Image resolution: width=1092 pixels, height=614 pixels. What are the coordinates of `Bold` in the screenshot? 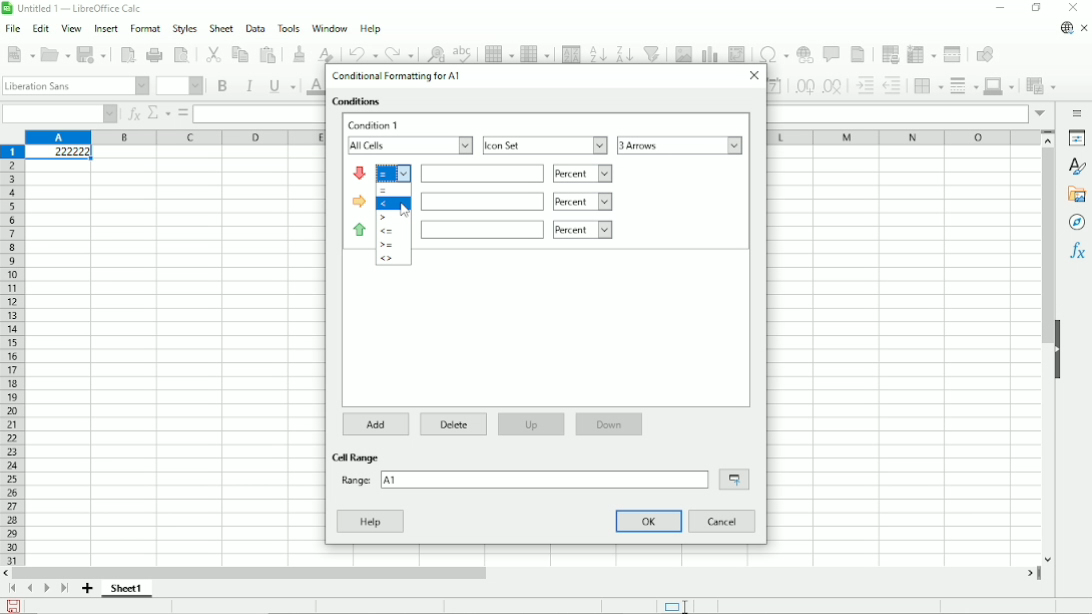 It's located at (221, 85).